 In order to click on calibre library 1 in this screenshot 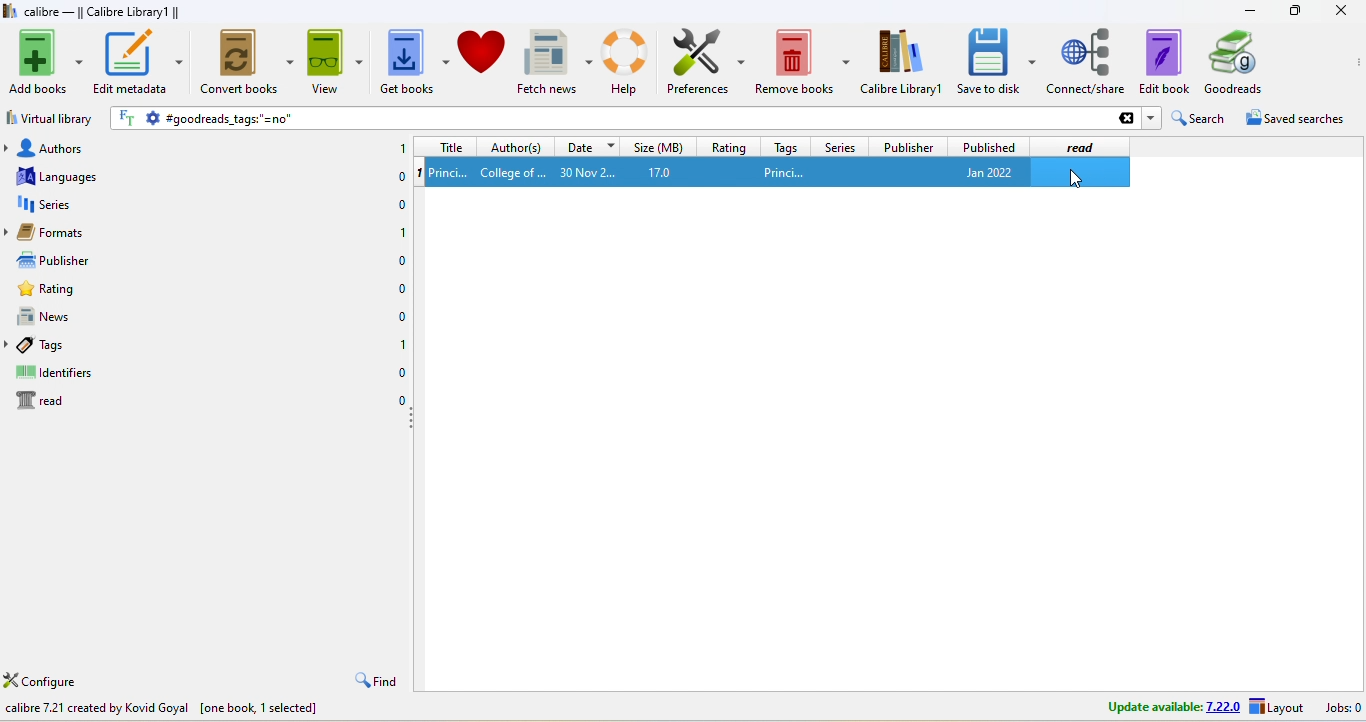, I will do `click(902, 61)`.